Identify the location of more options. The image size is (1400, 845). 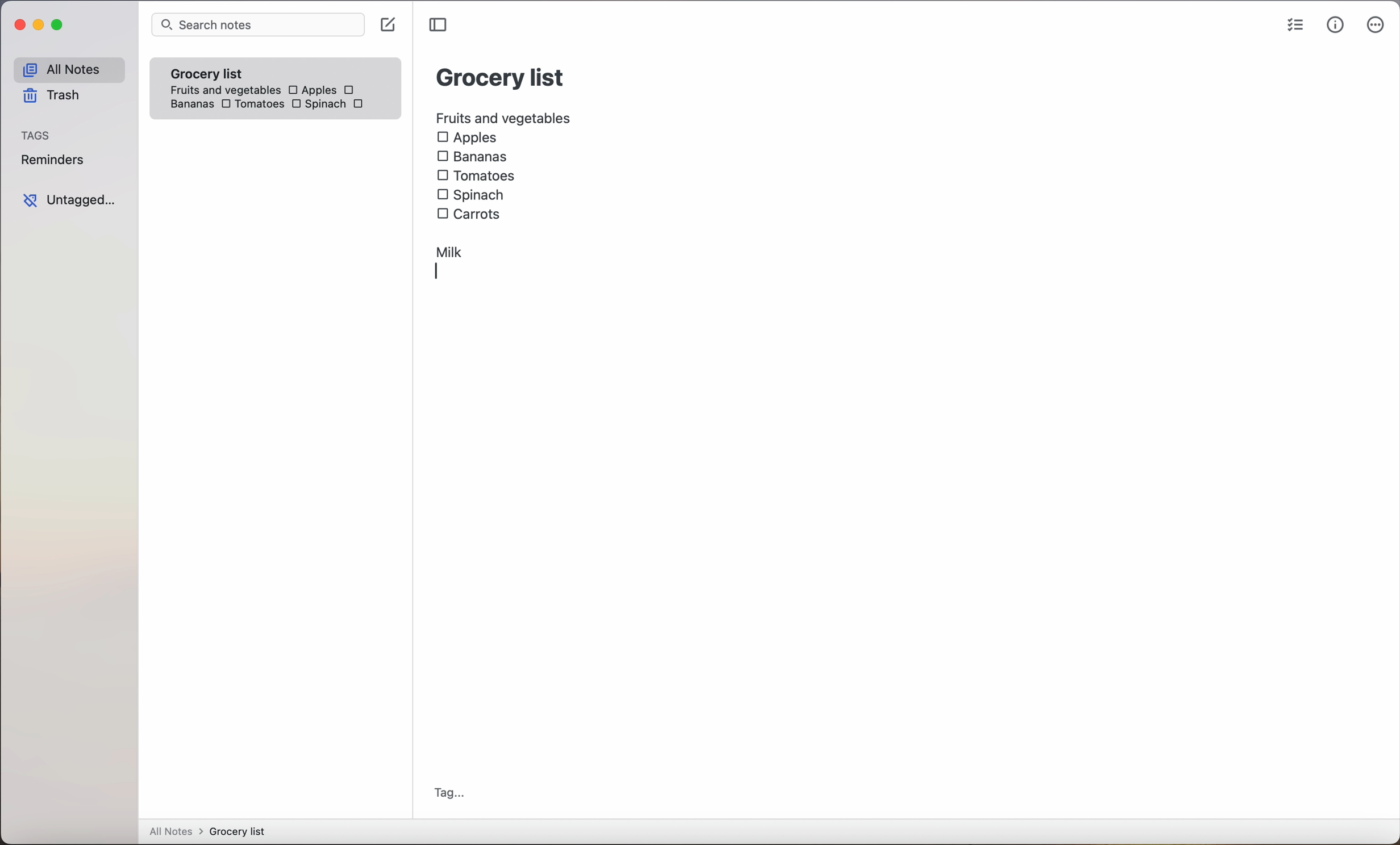
(1376, 27).